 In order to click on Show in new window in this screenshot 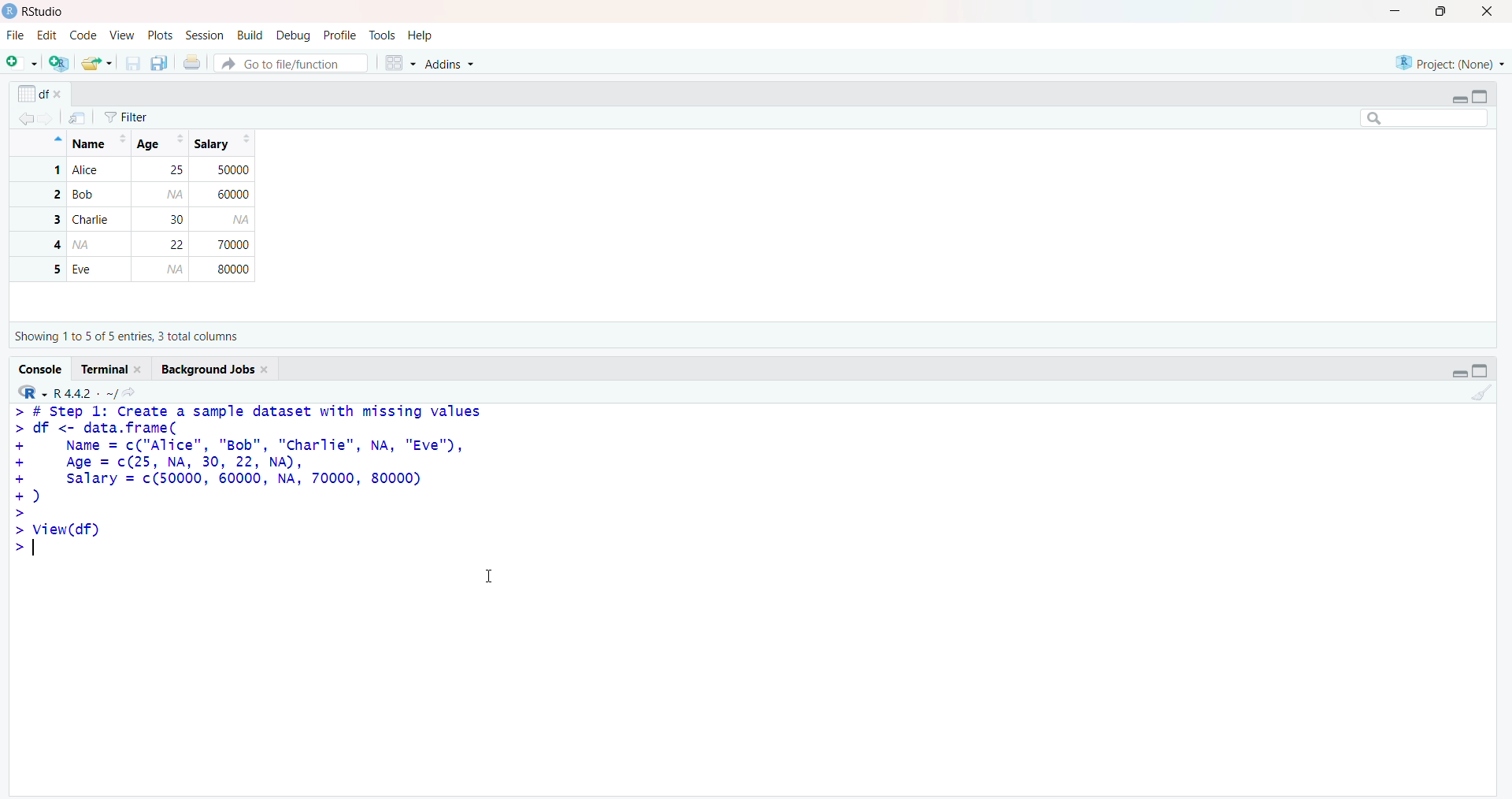, I will do `click(82, 117)`.